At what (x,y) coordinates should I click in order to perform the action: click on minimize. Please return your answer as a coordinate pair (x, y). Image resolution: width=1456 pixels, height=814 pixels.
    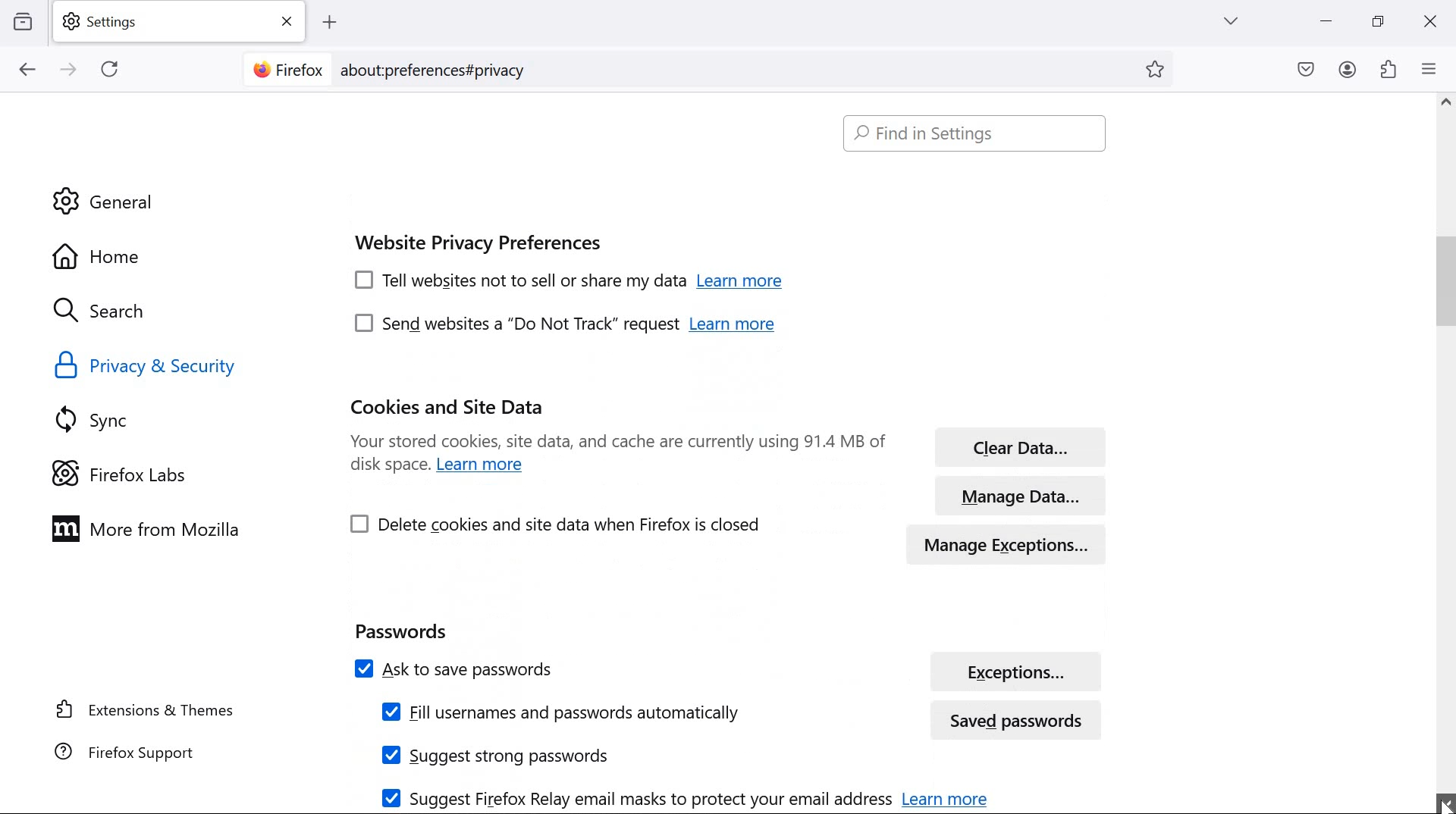
    Looking at the image, I should click on (1327, 21).